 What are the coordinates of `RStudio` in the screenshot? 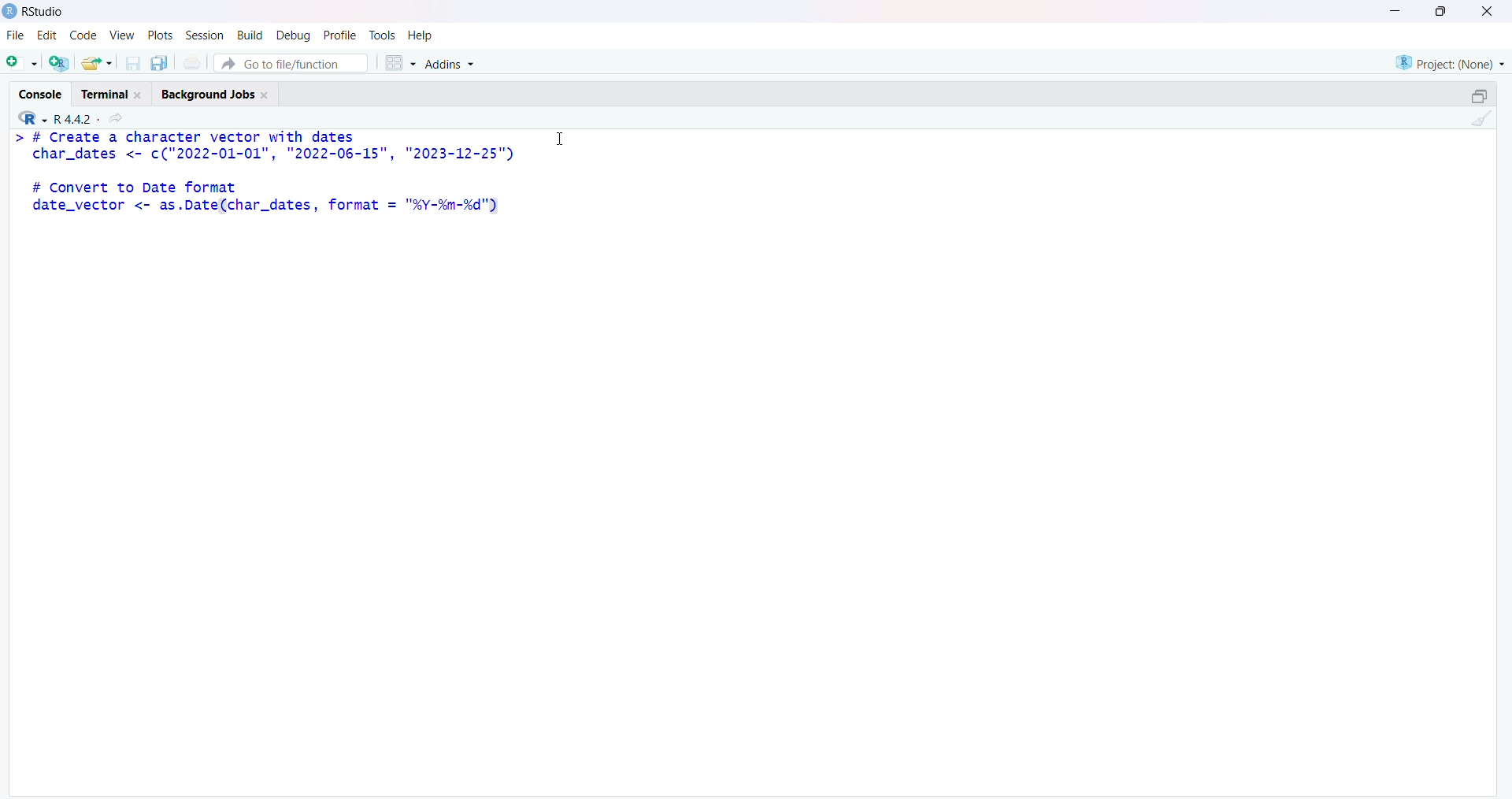 It's located at (34, 15).